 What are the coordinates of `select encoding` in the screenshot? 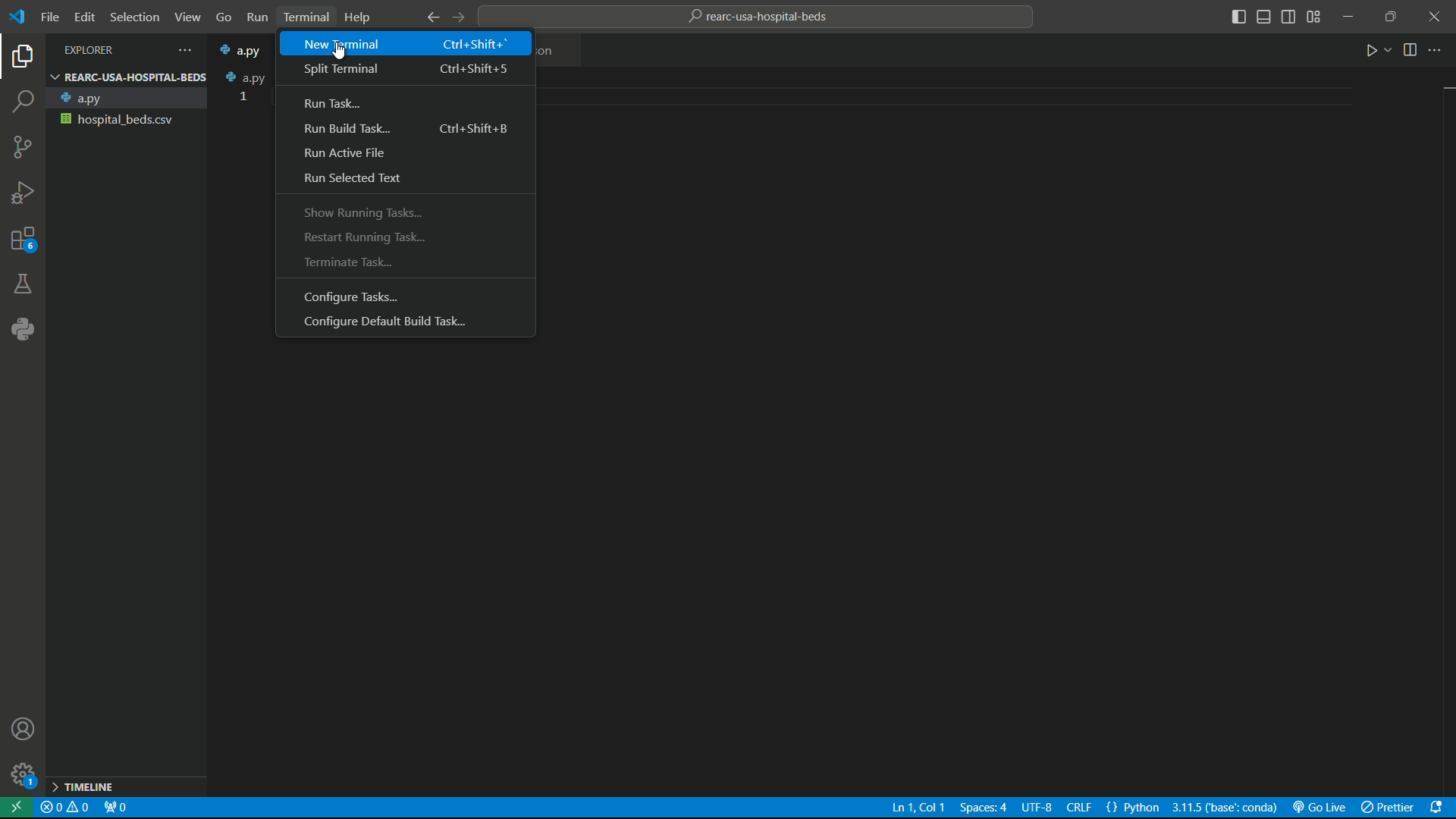 It's located at (1038, 809).